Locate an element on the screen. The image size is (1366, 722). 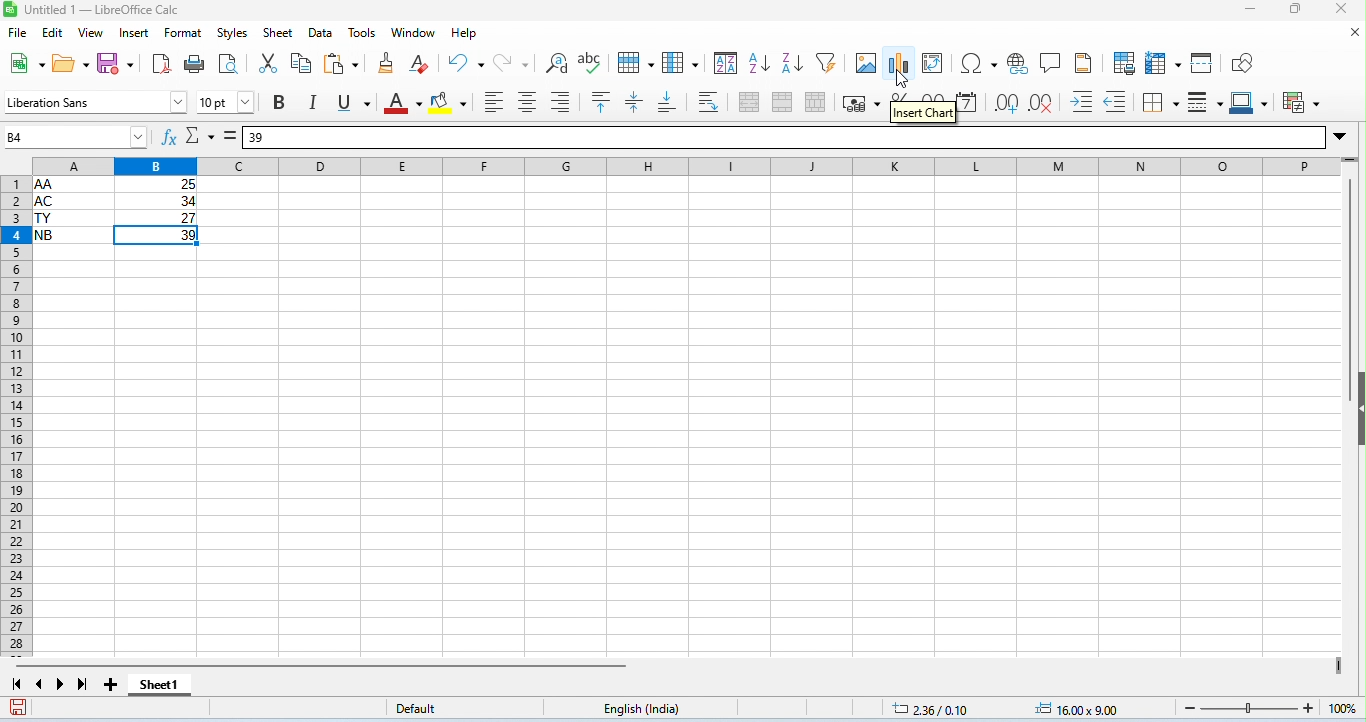
sheet is located at coordinates (280, 34).